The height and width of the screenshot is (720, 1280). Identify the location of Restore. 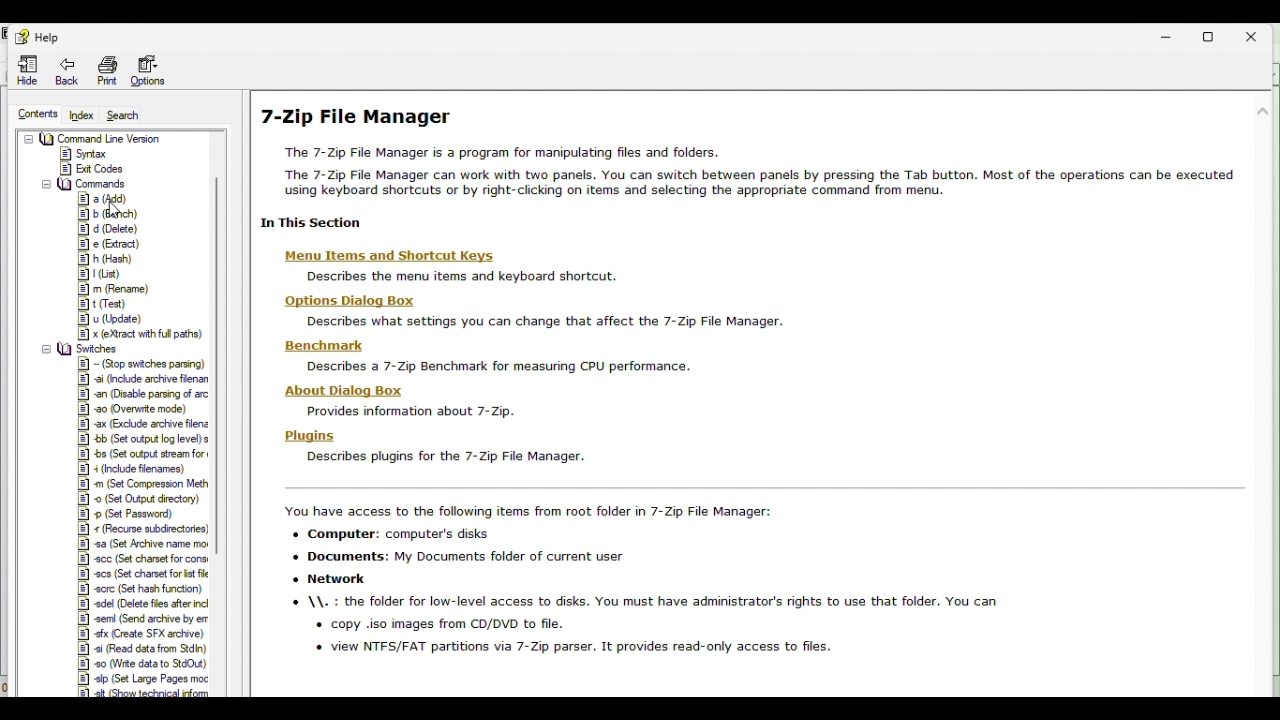
(1207, 37).